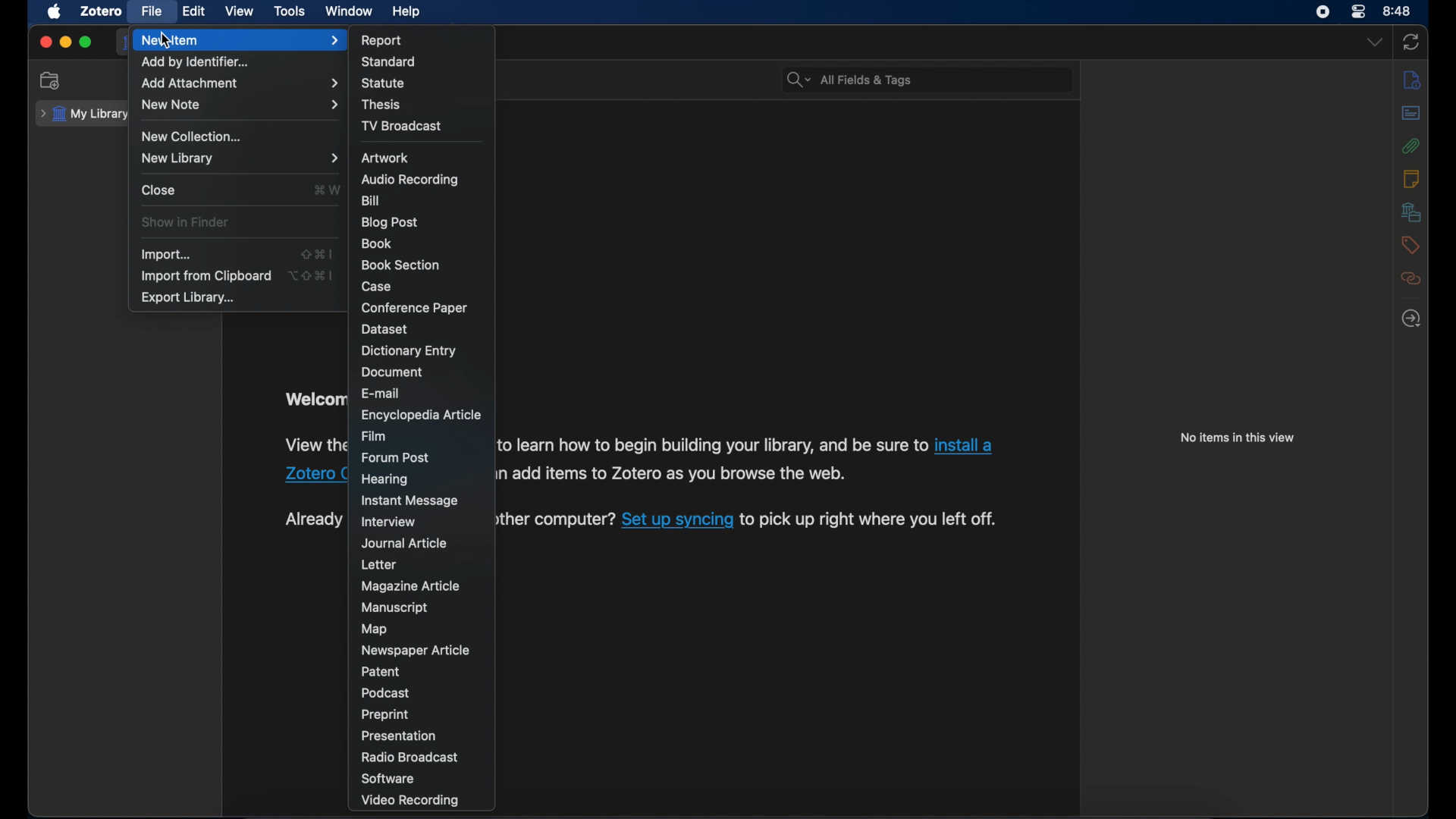 The width and height of the screenshot is (1456, 819). I want to click on conference paper, so click(415, 309).